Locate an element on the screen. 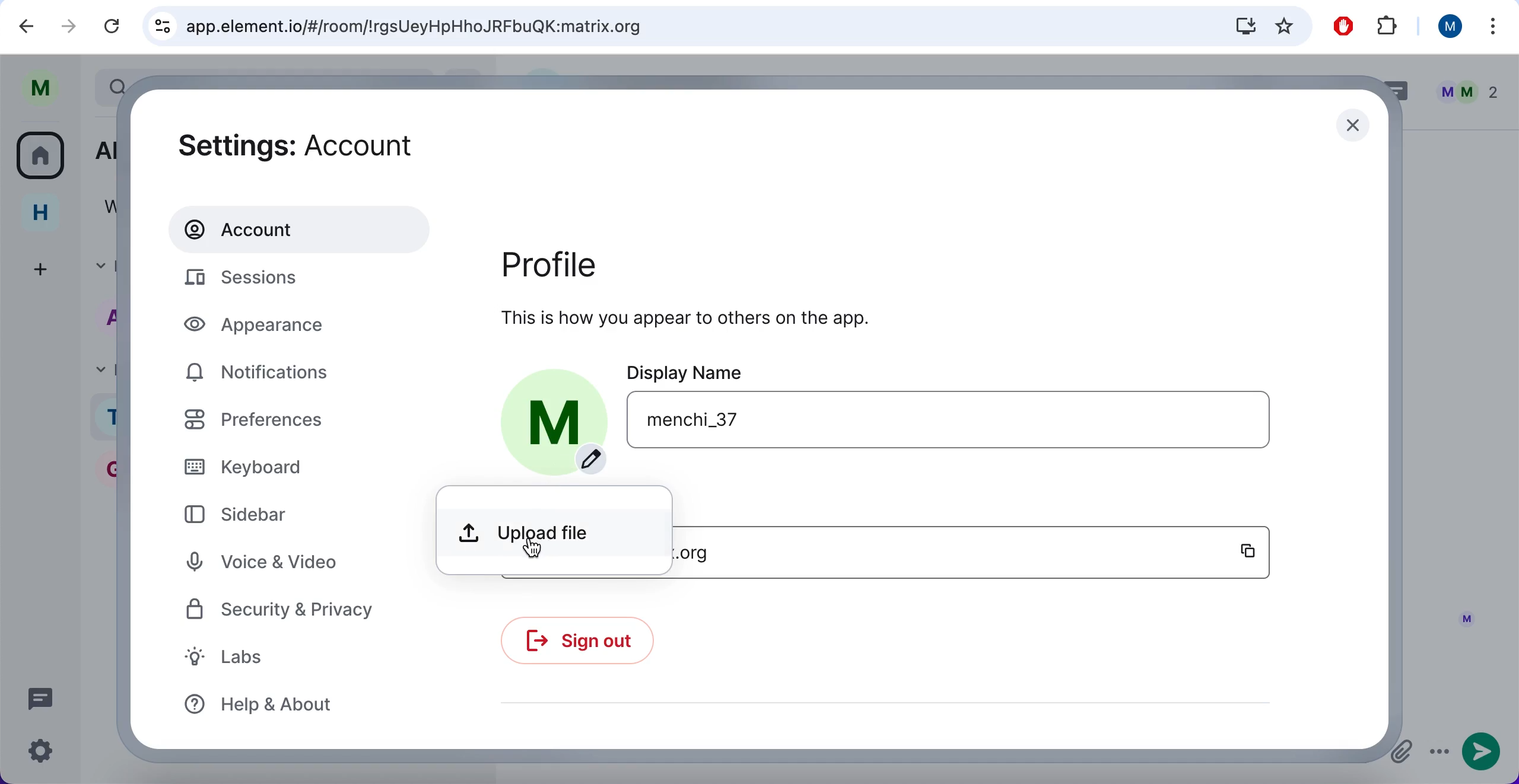 The image size is (1519, 784). labs is located at coordinates (249, 659).